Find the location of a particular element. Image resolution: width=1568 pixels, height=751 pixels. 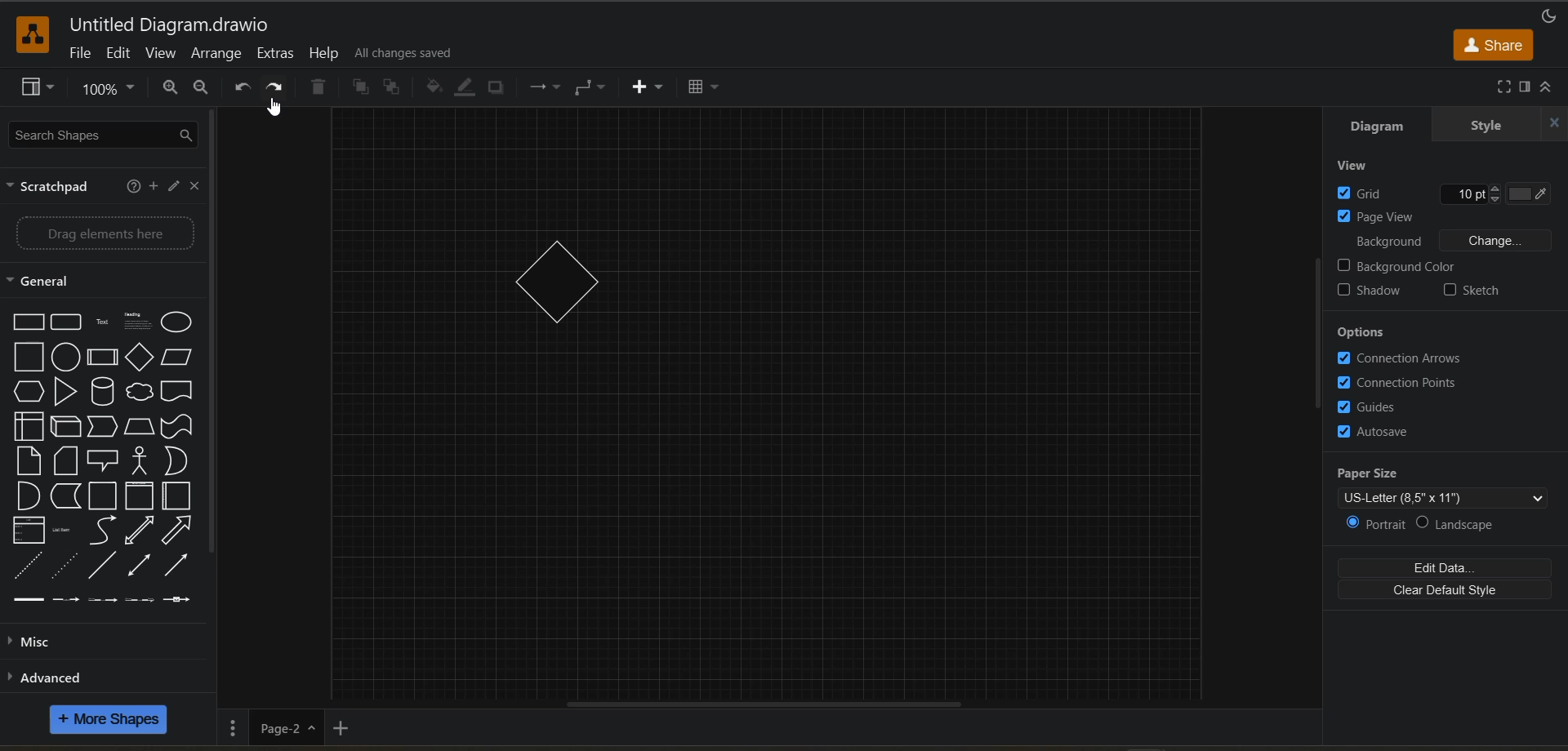

to back is located at coordinates (393, 86).